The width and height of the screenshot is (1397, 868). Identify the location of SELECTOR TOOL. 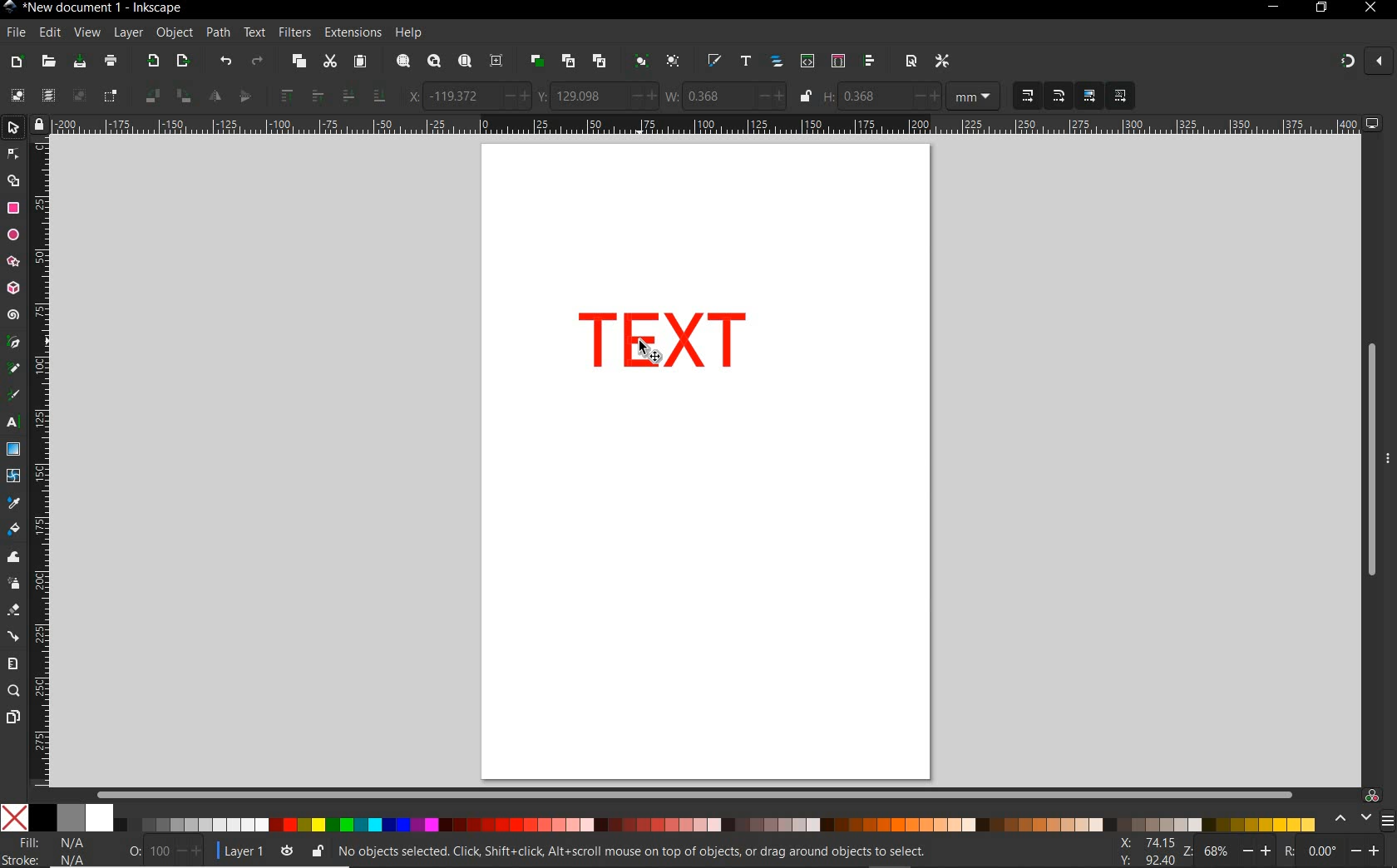
(15, 131).